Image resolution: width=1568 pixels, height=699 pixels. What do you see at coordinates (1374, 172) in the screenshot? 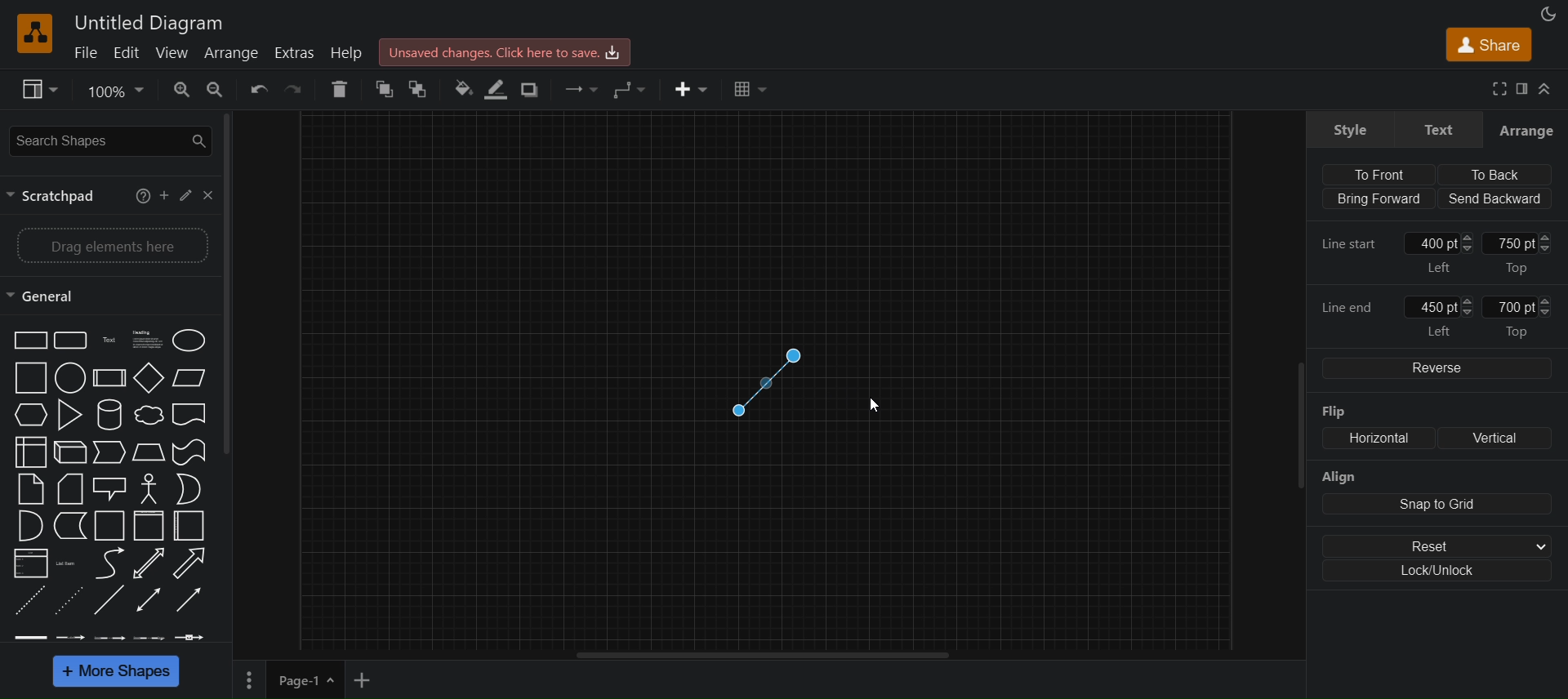
I see `to front` at bounding box center [1374, 172].